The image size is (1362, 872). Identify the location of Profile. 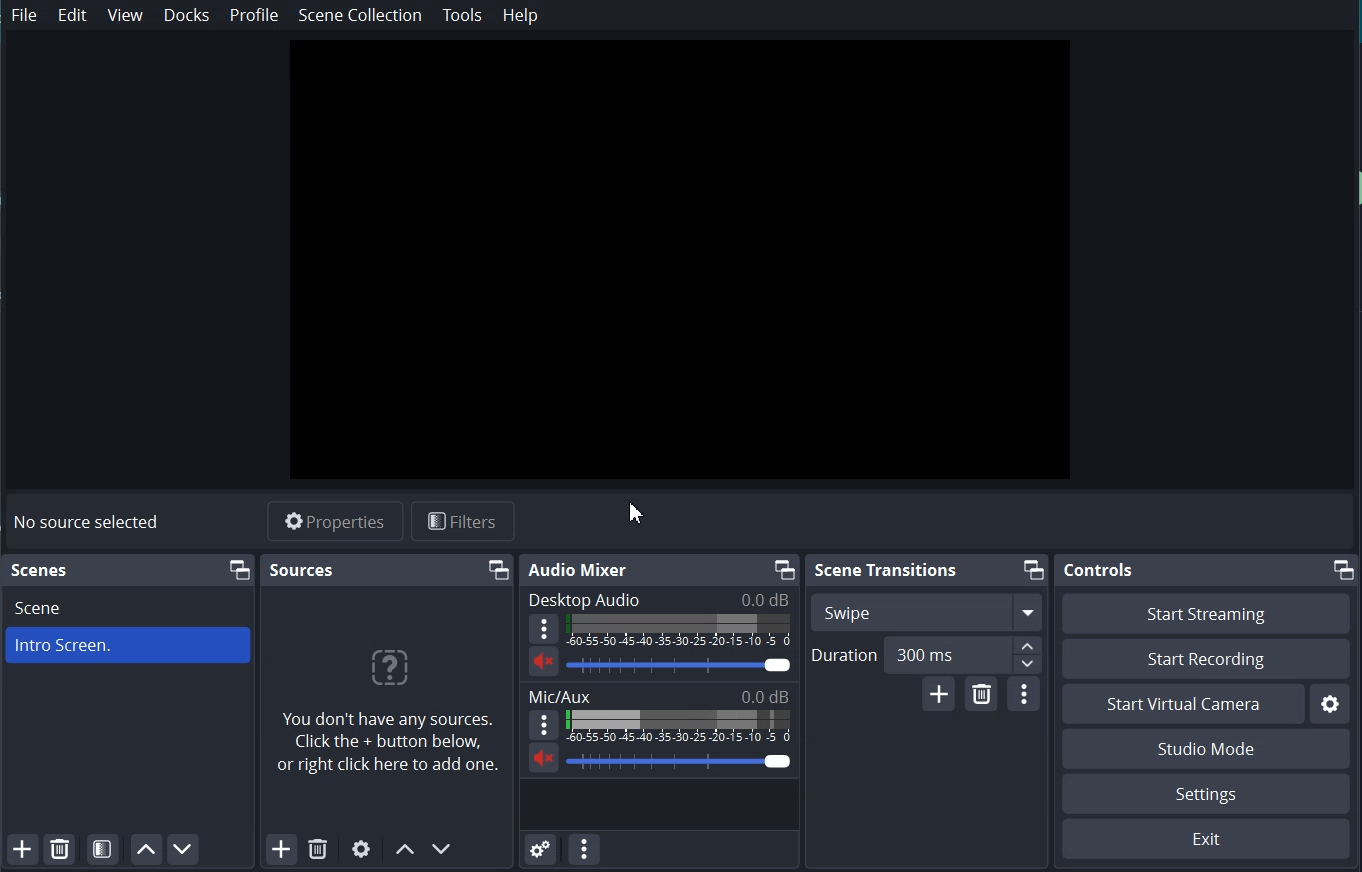
(254, 15).